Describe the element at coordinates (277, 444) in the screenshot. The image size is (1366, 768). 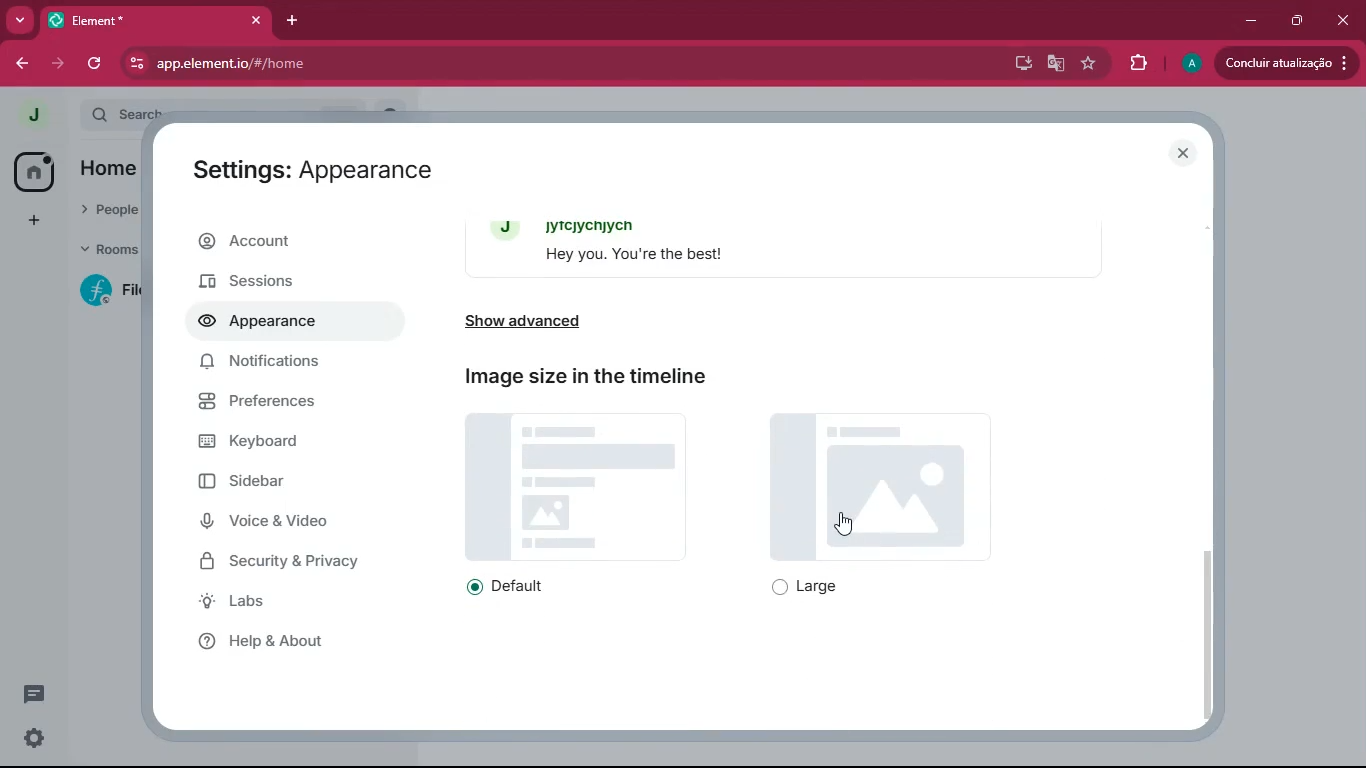
I see `keyboard` at that location.